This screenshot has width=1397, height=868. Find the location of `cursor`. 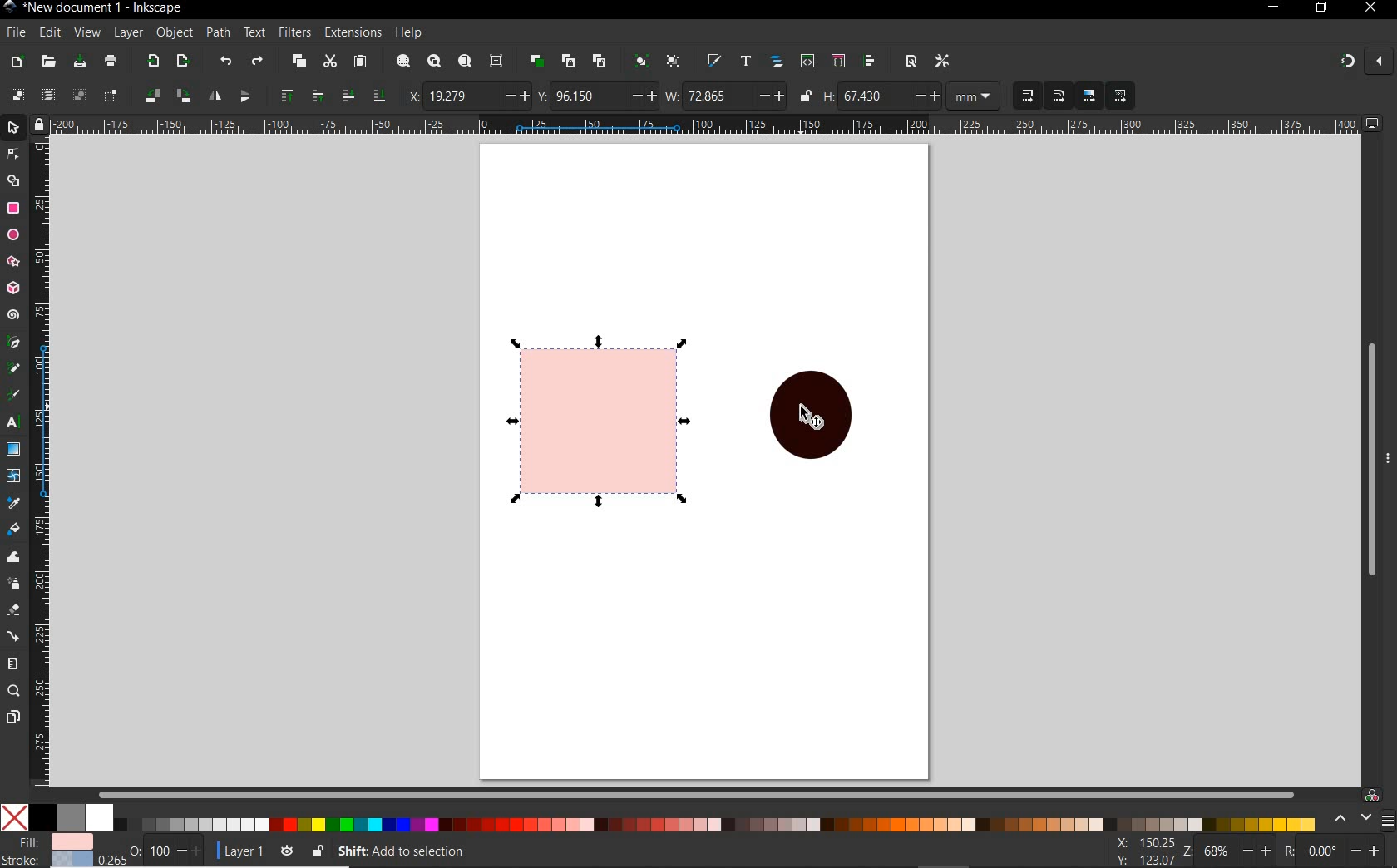

cursor is located at coordinates (807, 418).